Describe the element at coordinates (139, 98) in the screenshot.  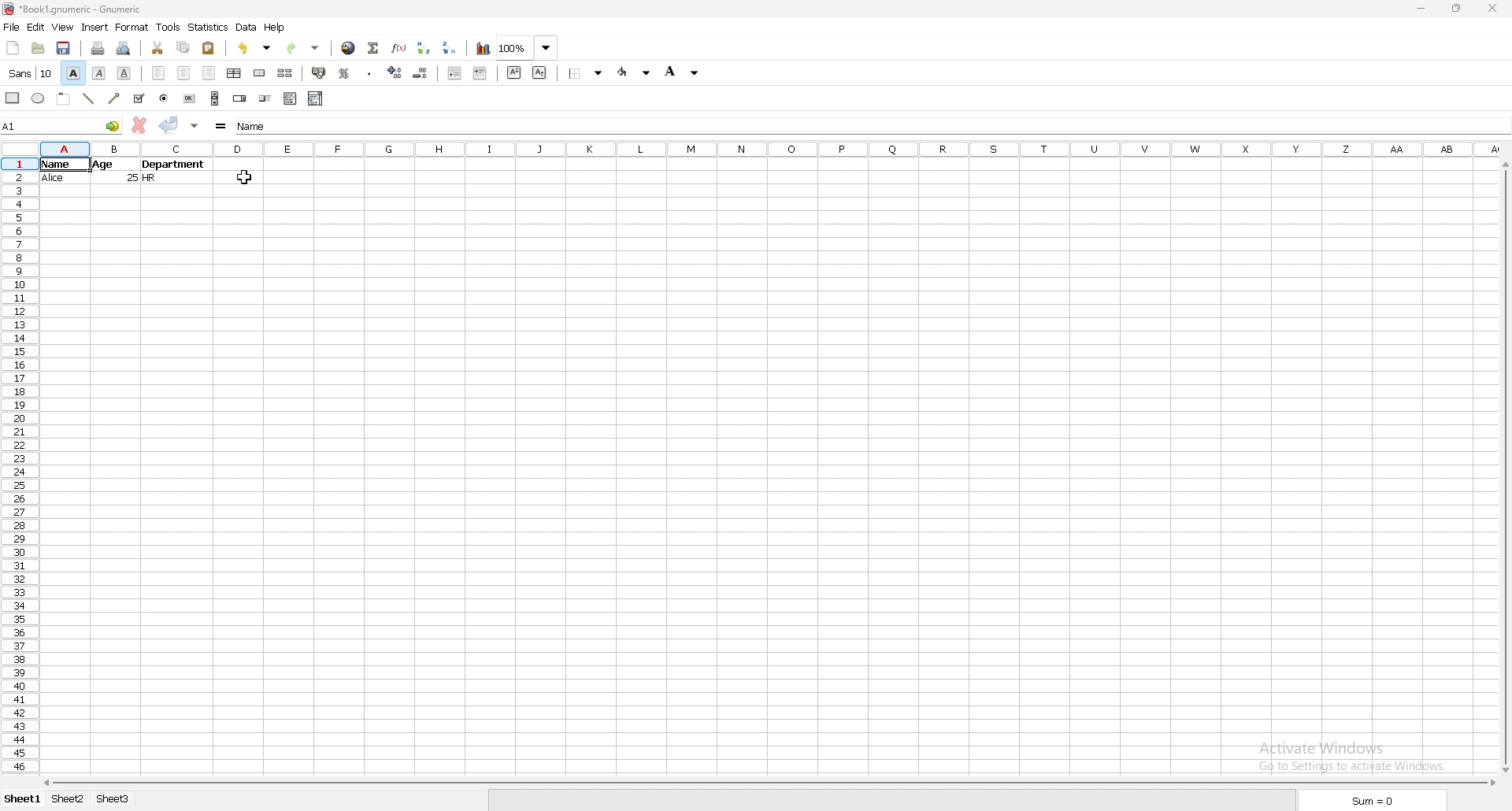
I see `tickbox` at that location.